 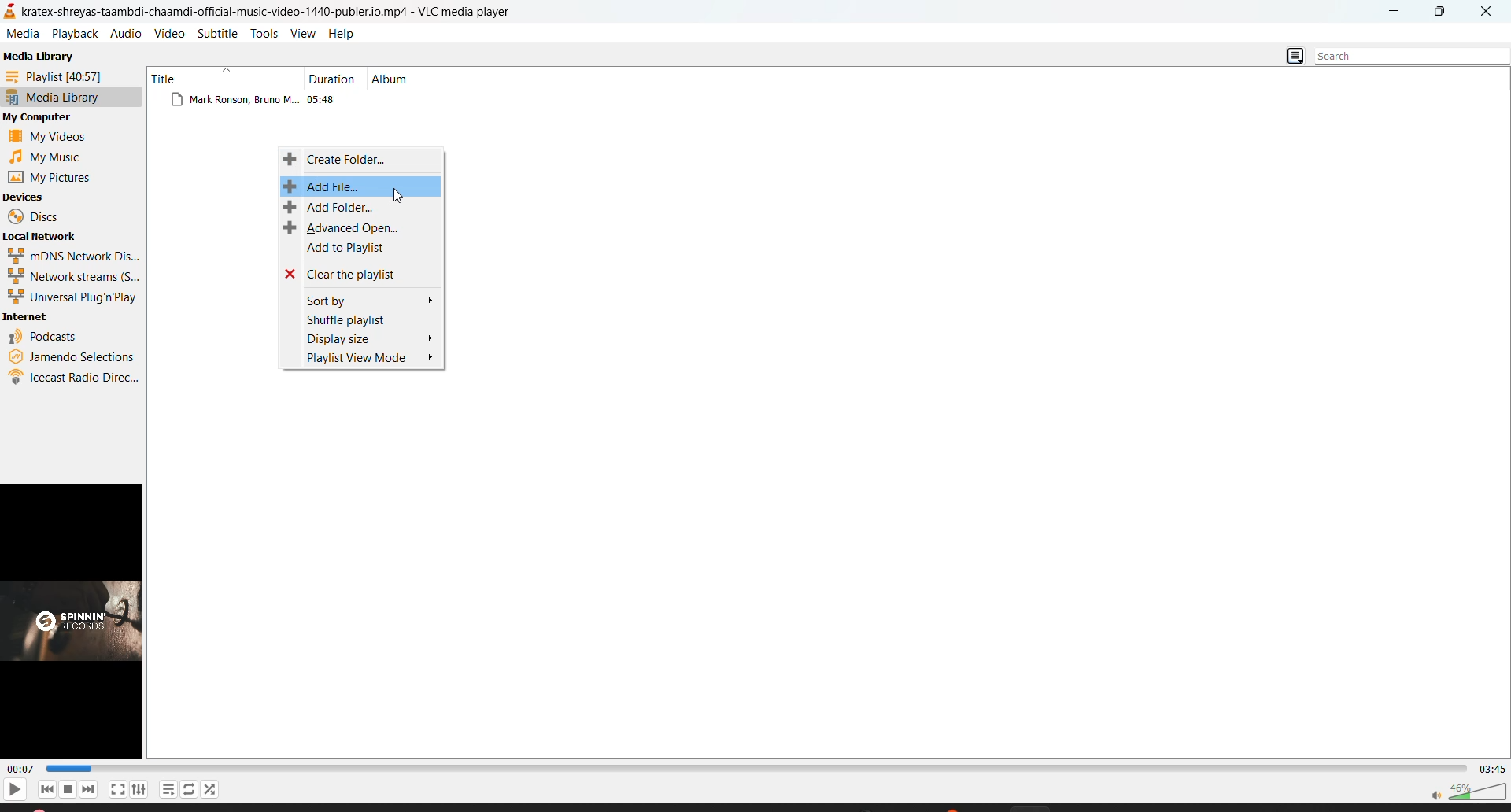 I want to click on duration, so click(x=334, y=76).